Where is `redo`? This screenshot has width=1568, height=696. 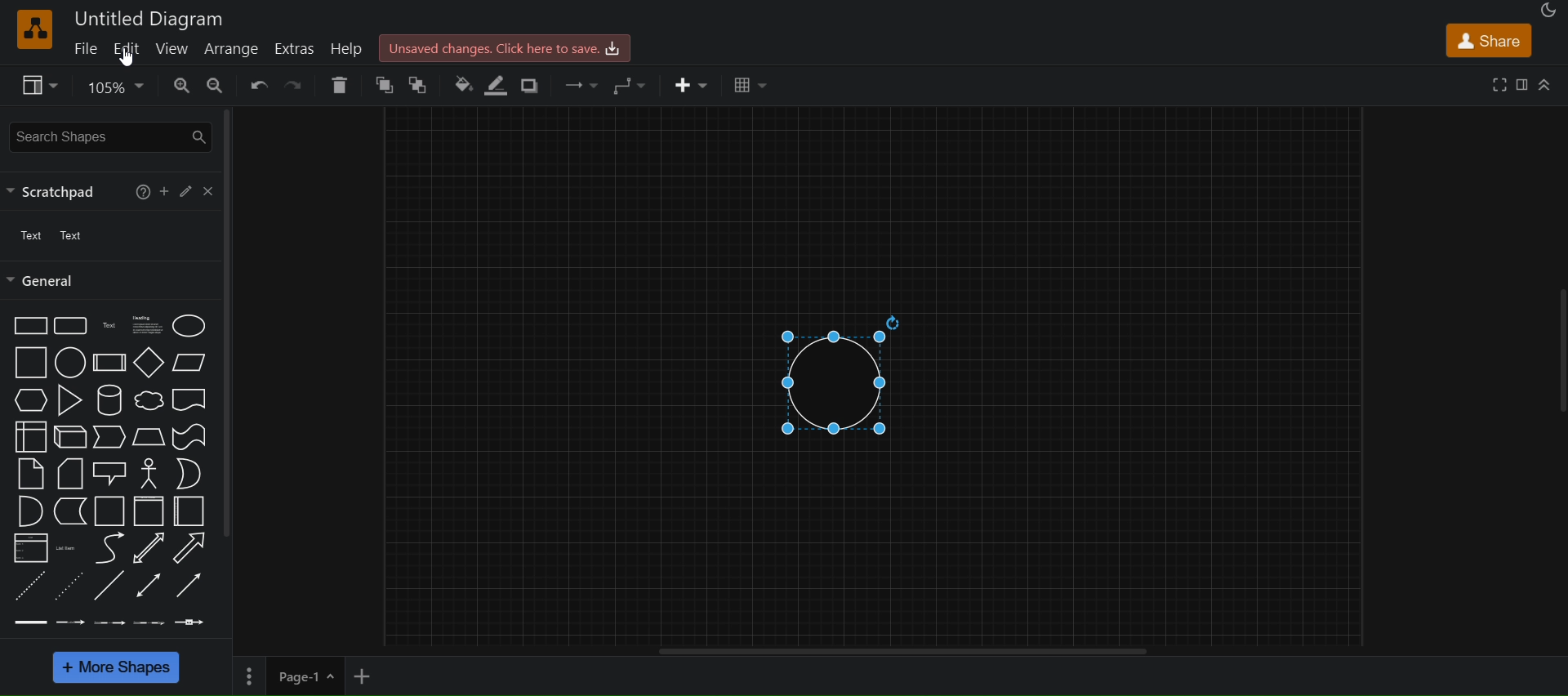
redo is located at coordinates (292, 84).